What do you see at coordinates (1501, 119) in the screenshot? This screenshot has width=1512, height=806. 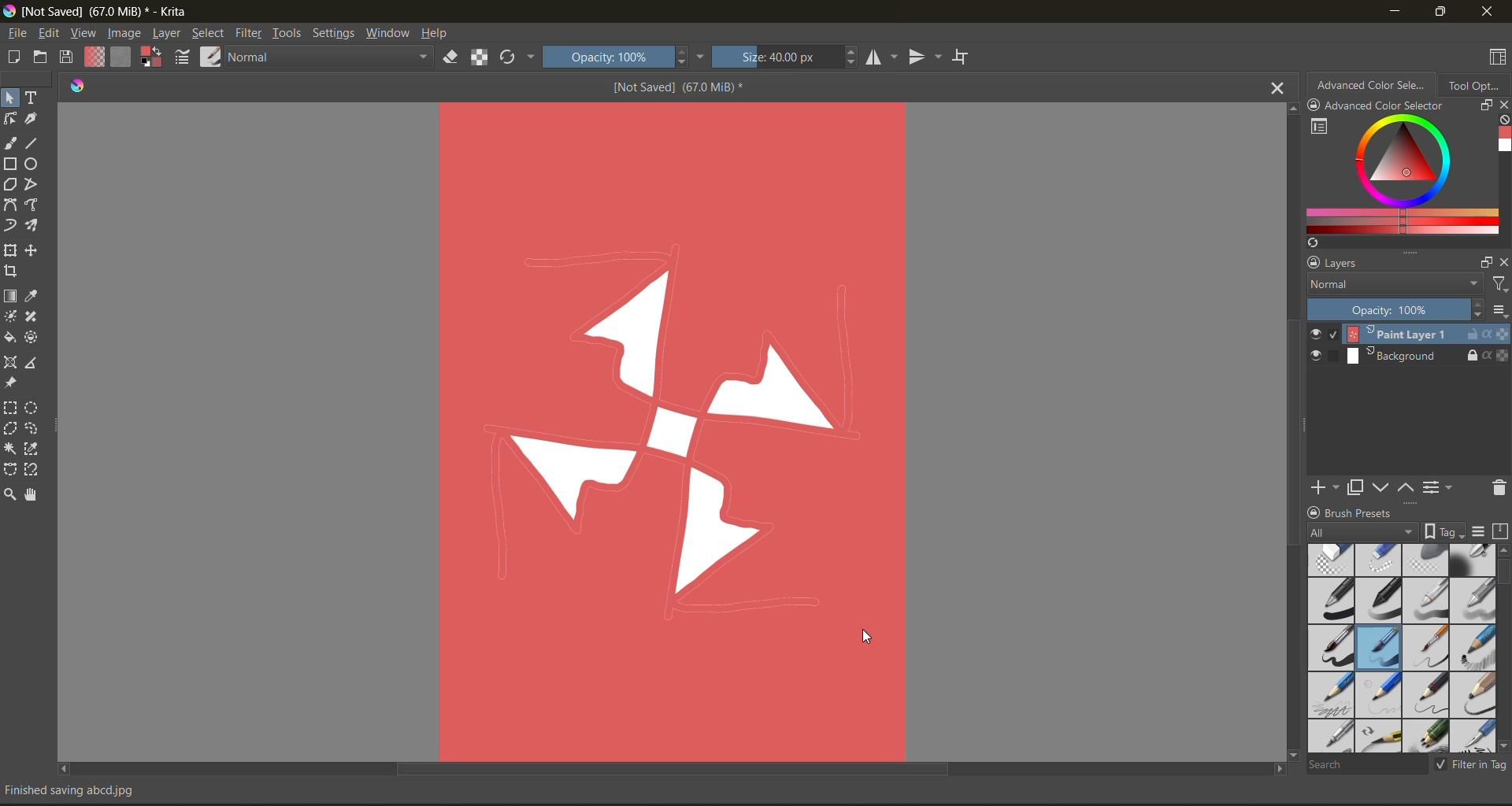 I see `clear all color history` at bounding box center [1501, 119].